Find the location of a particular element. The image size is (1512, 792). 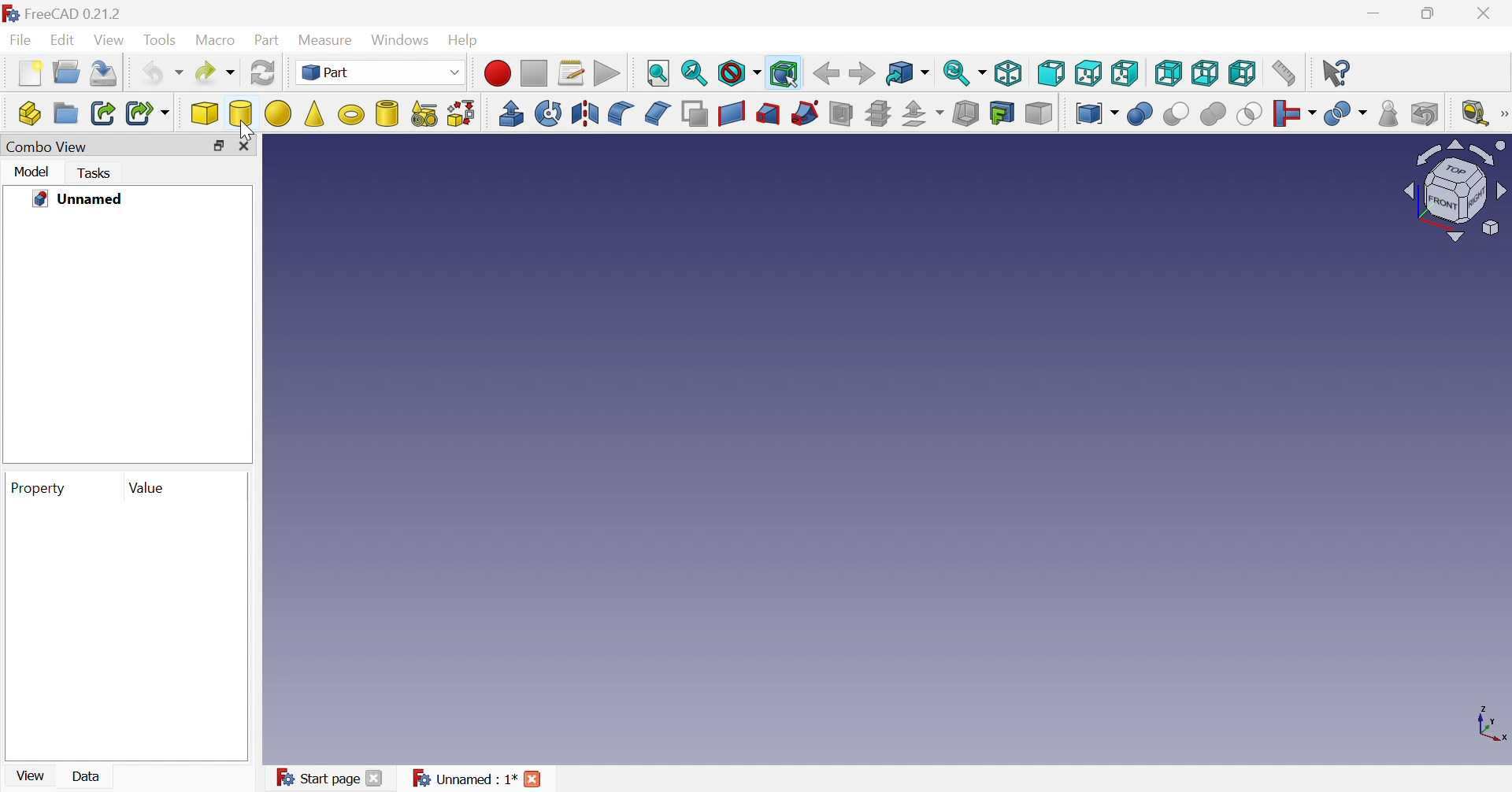

Boolean is located at coordinates (1141, 116).